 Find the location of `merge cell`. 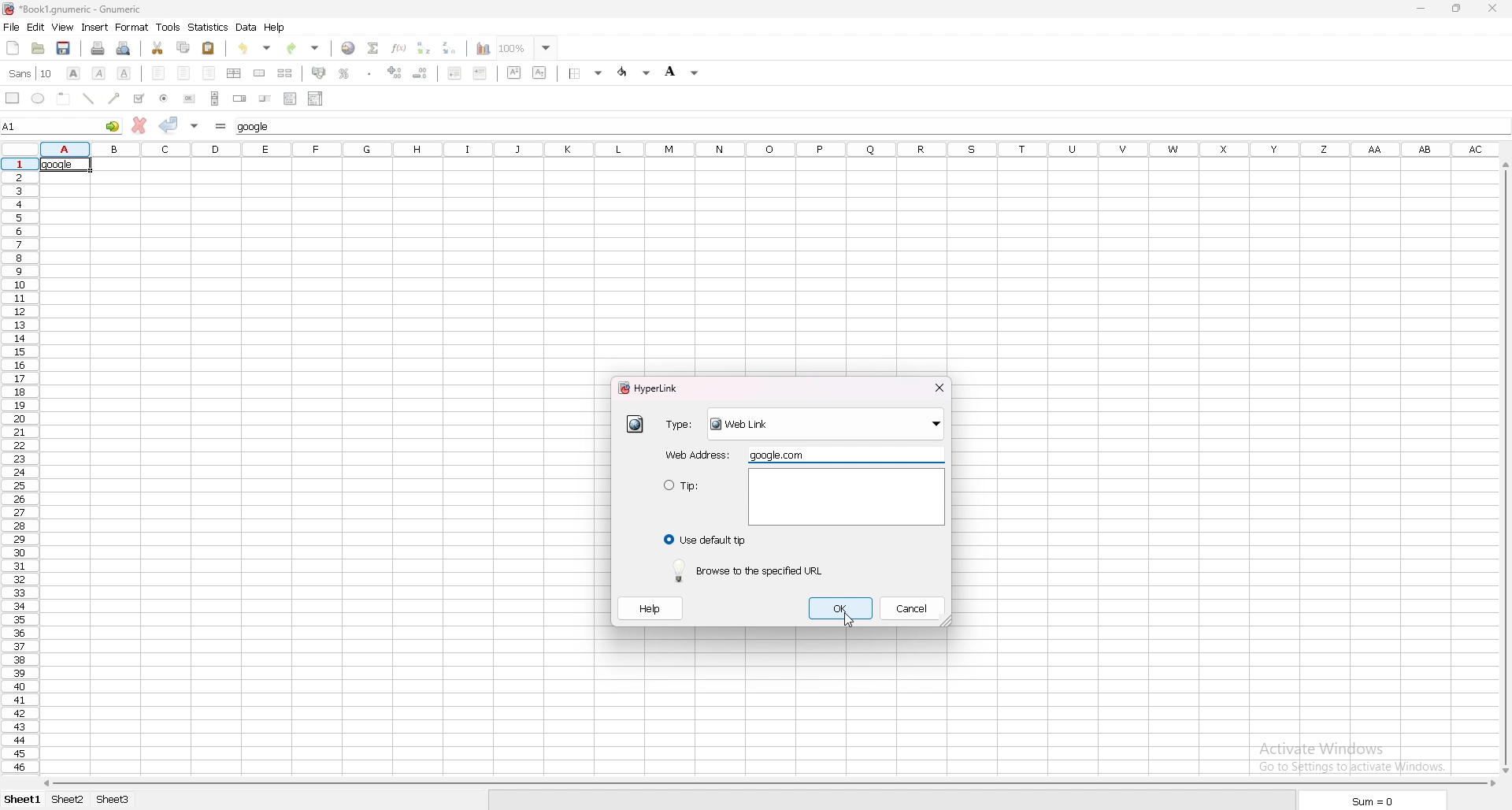

merge cell is located at coordinates (261, 73).